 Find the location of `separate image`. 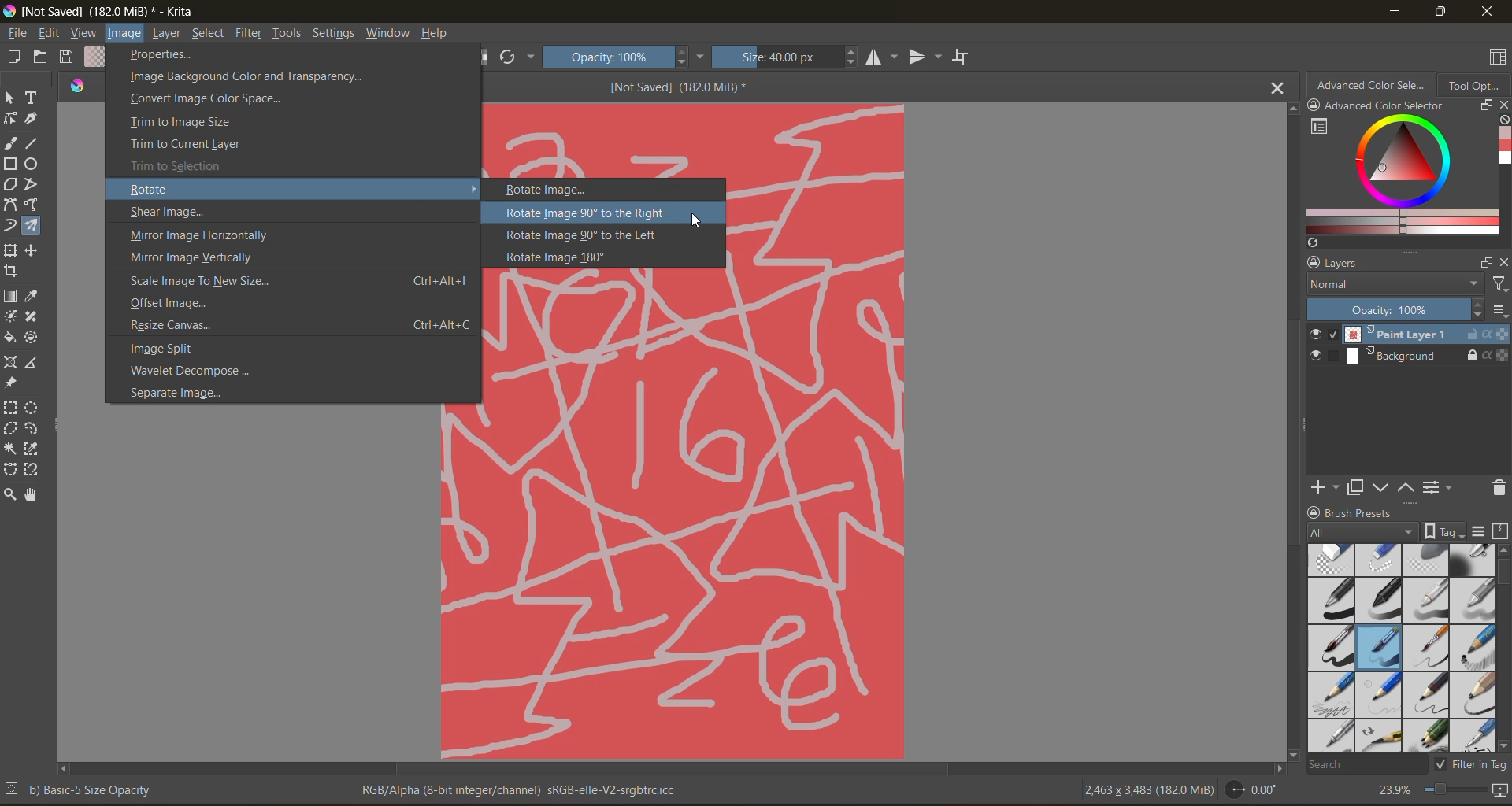

separate image is located at coordinates (182, 391).